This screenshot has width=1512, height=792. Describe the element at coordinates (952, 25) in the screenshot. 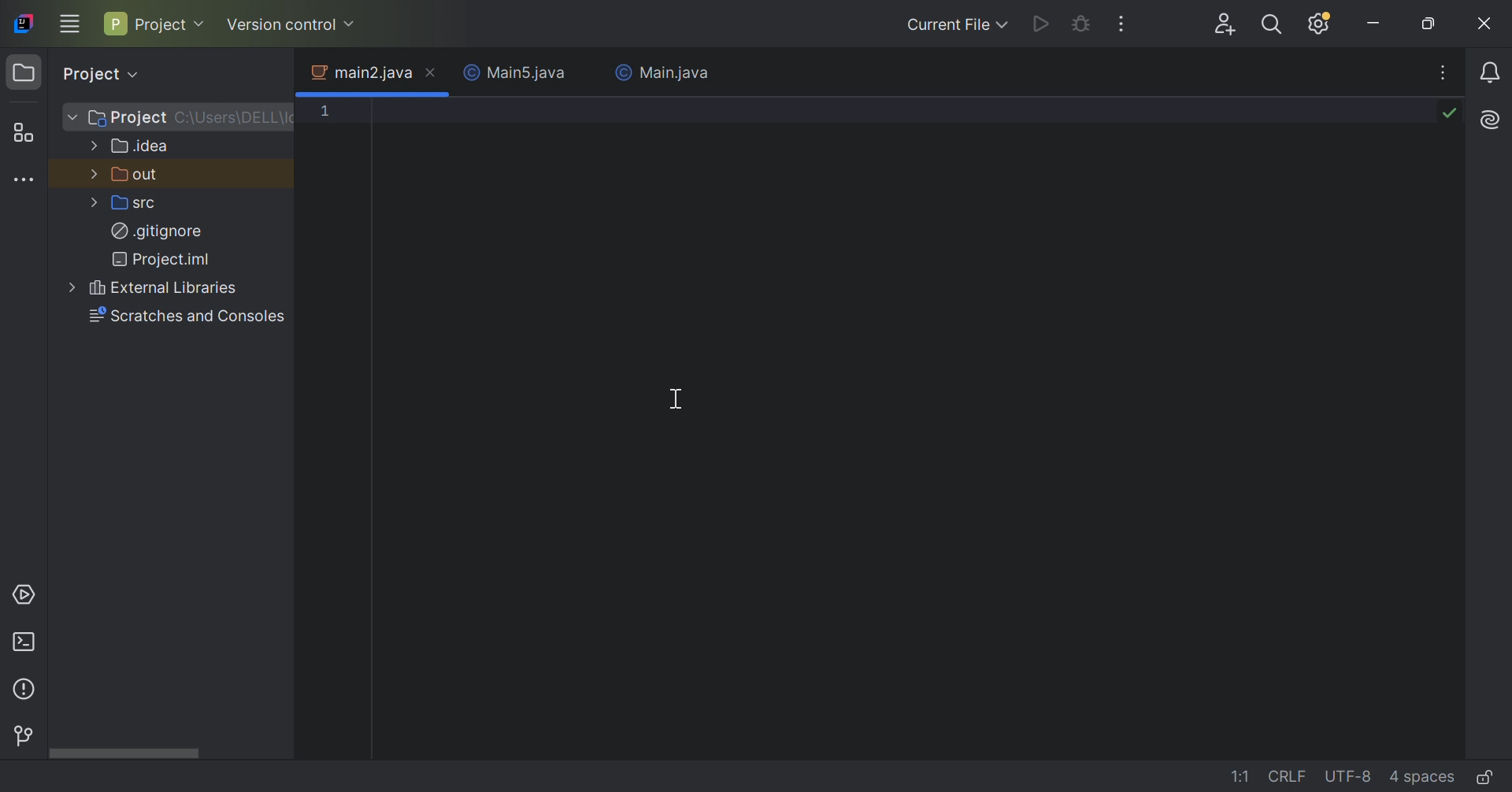

I see `Current file` at that location.